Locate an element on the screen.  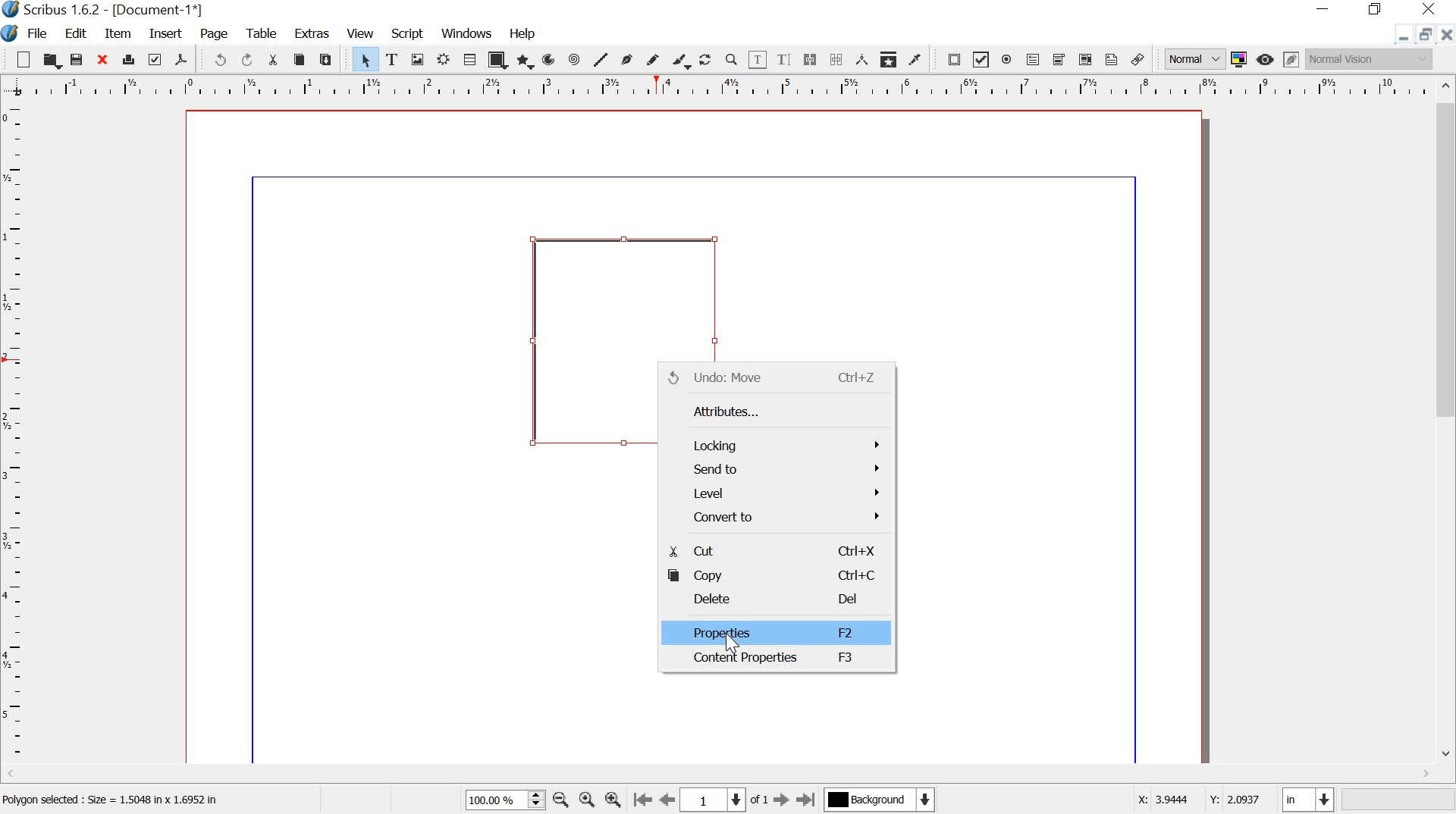
measurements is located at coordinates (863, 61).